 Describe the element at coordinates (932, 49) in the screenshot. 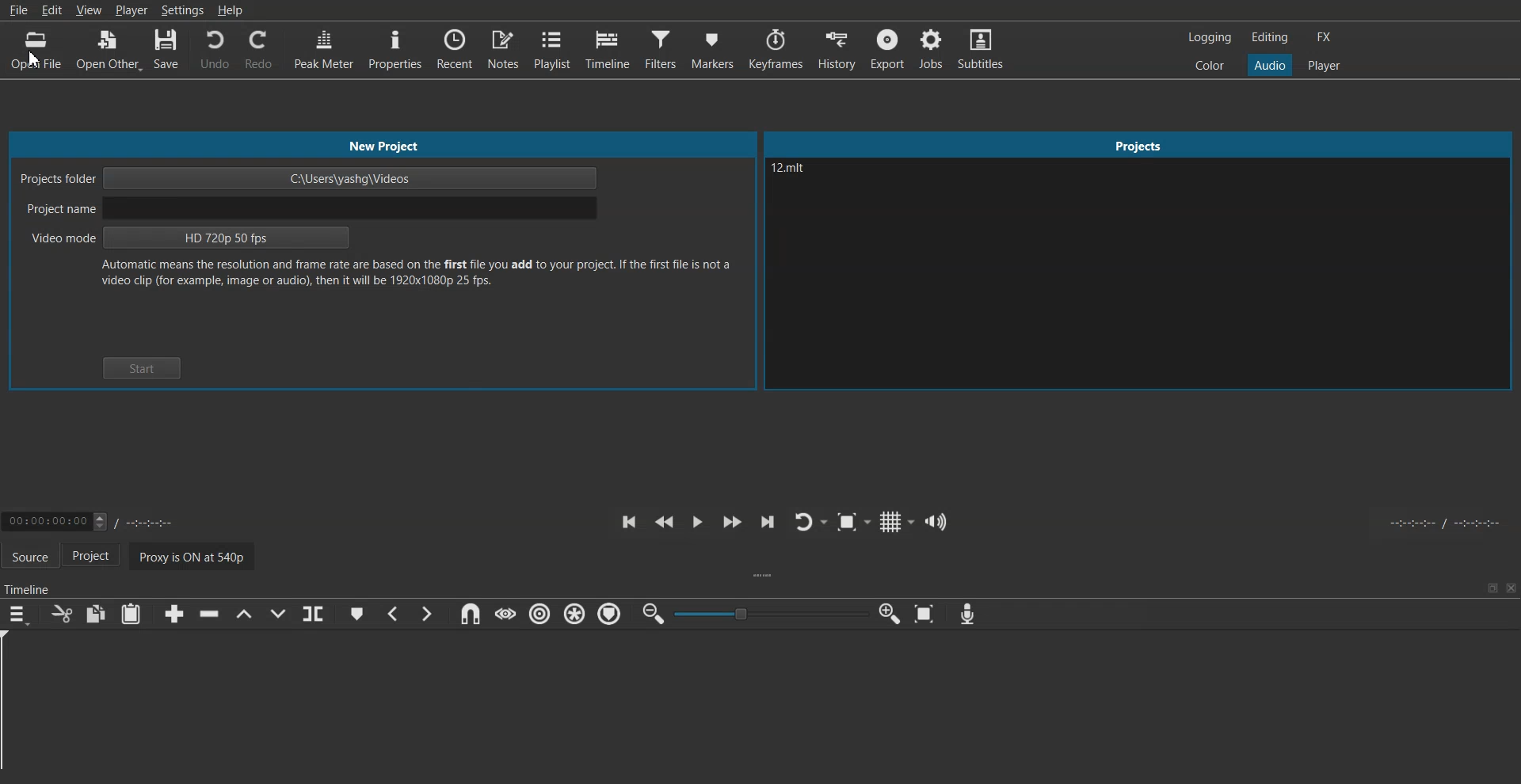

I see `Jobs` at that location.